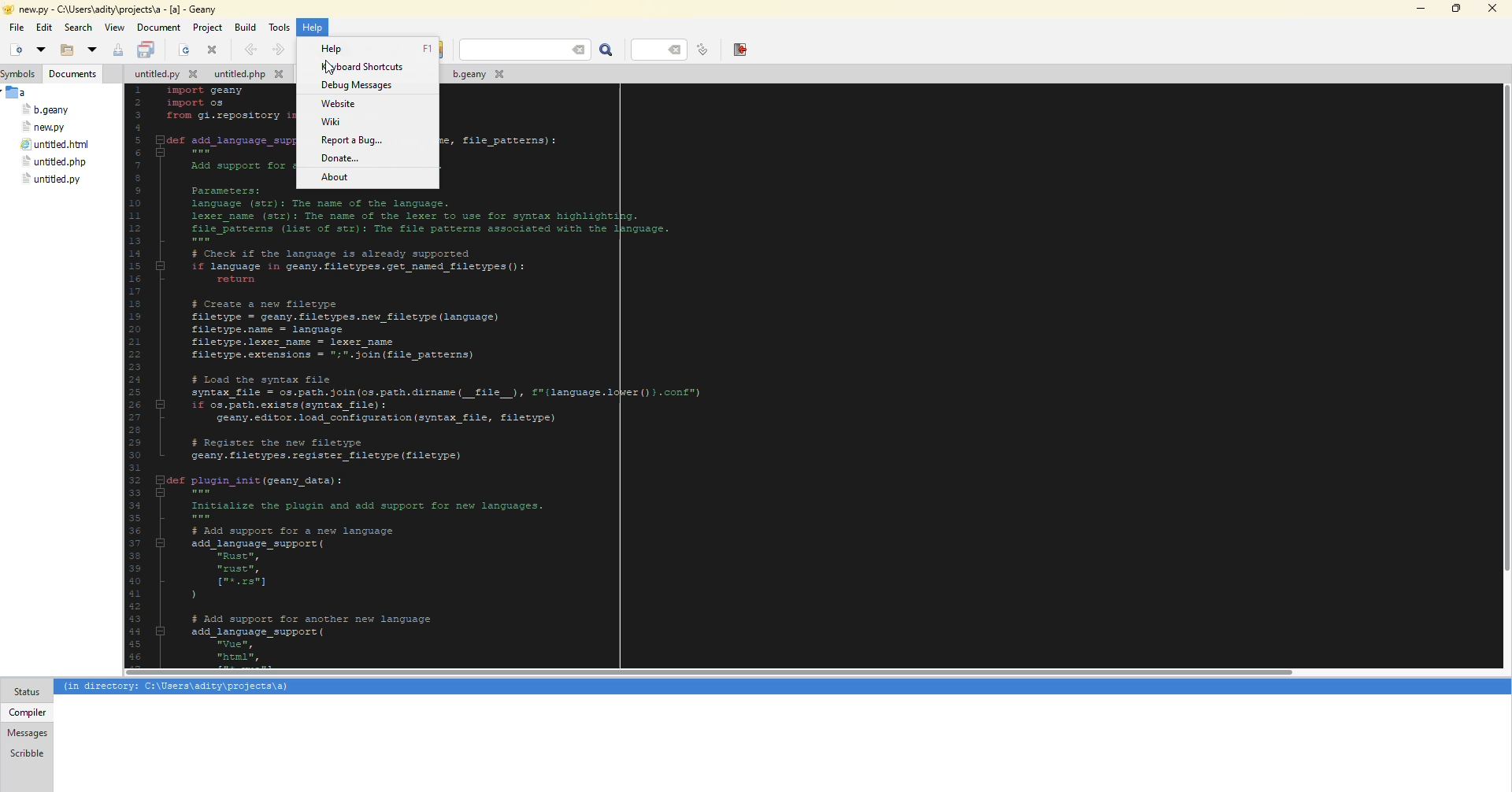 The height and width of the screenshot is (792, 1512). Describe the element at coordinates (14, 50) in the screenshot. I see `new` at that location.